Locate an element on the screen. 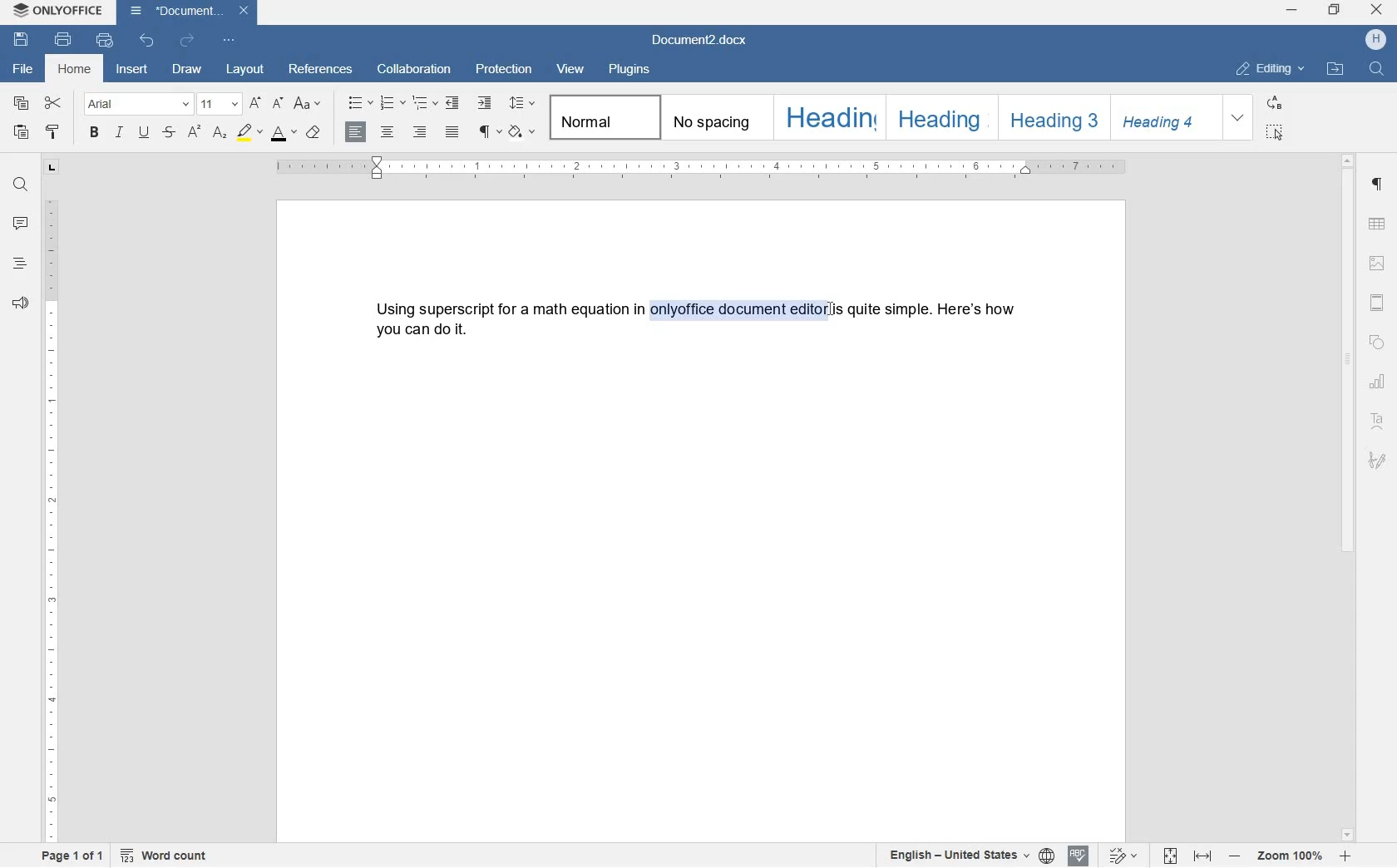 The height and width of the screenshot is (868, 1397). minimize is located at coordinates (1291, 10).